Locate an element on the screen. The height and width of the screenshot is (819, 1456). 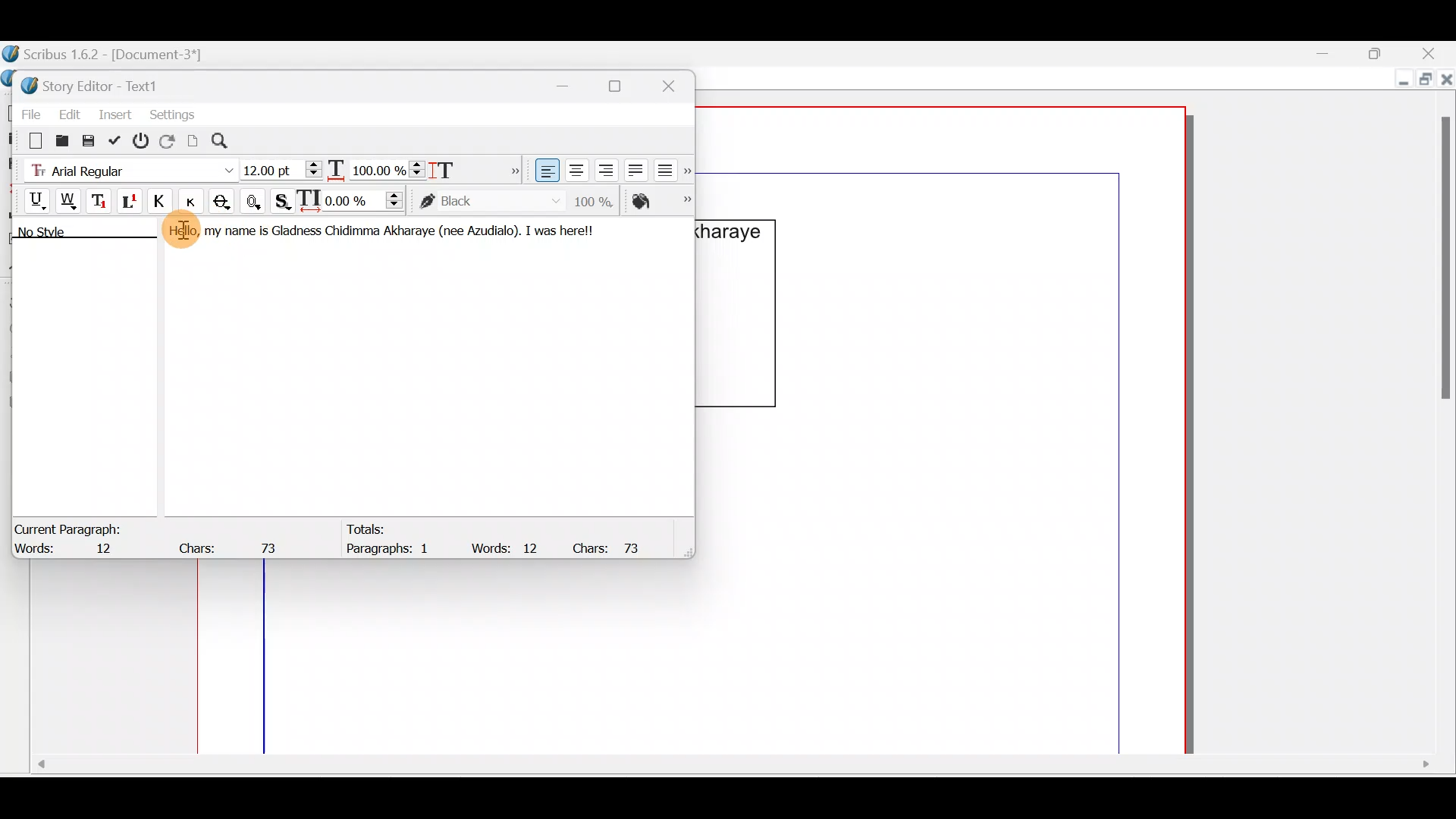
Insert  is located at coordinates (116, 113).